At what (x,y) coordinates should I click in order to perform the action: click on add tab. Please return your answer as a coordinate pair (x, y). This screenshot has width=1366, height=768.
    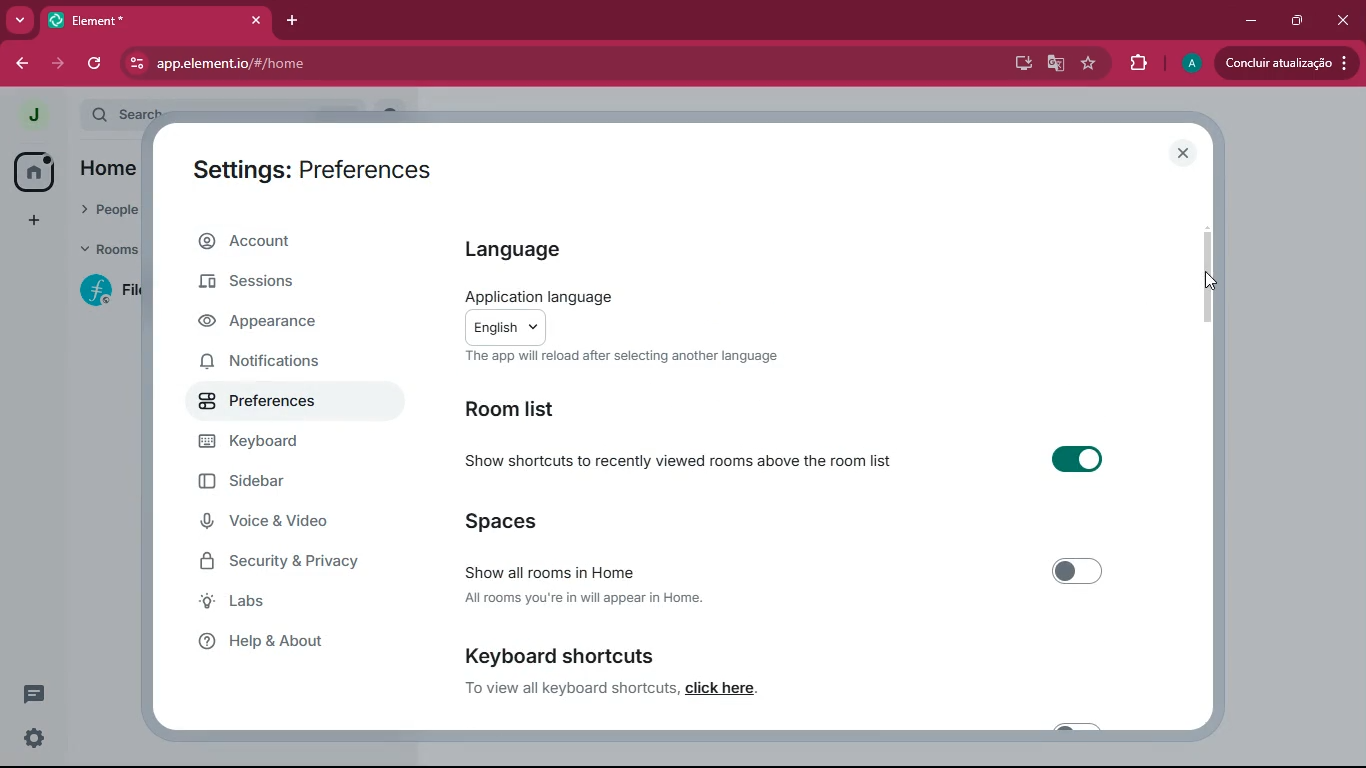
    Looking at the image, I should click on (294, 21).